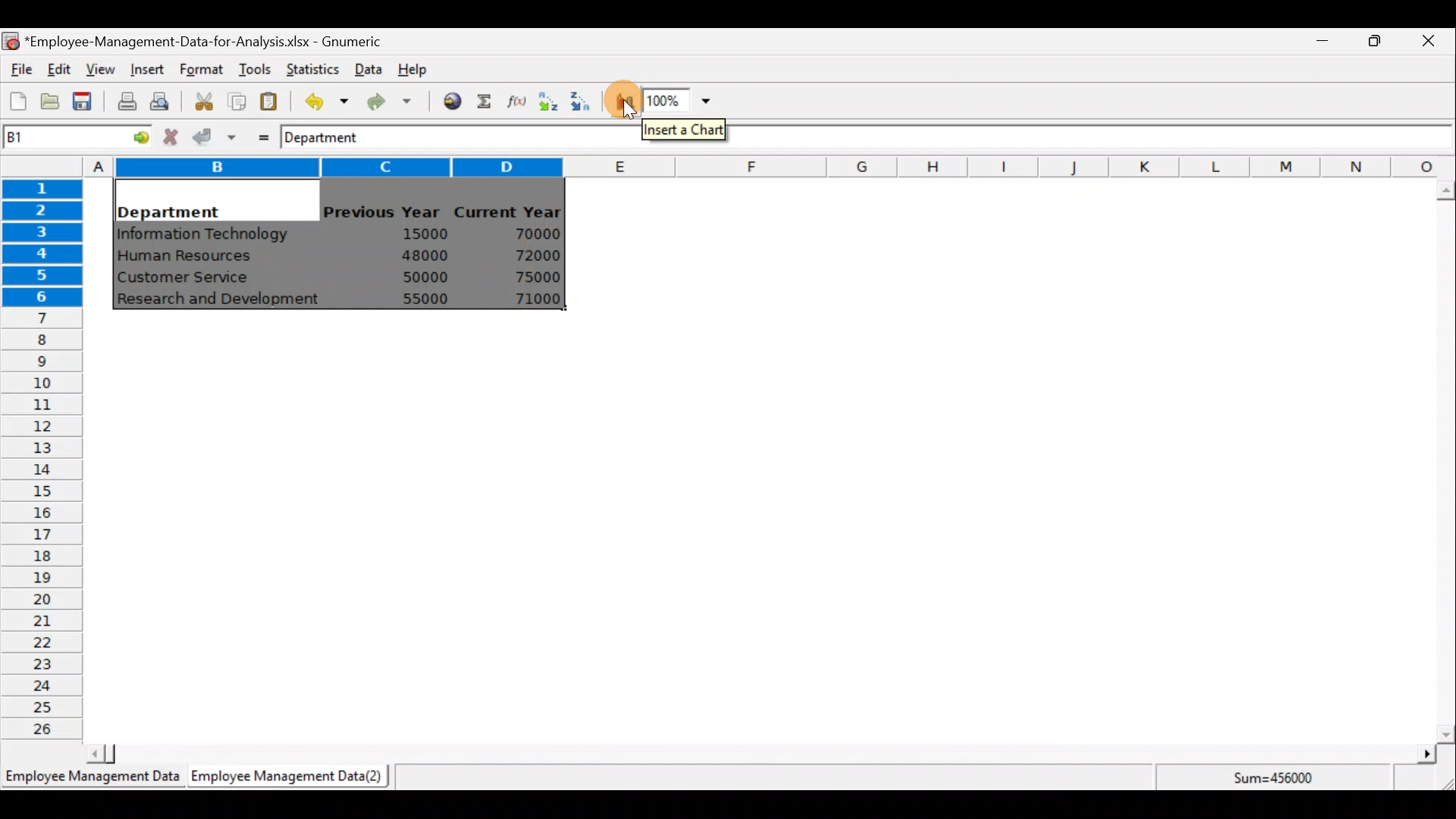 The width and height of the screenshot is (1456, 819). What do you see at coordinates (254, 71) in the screenshot?
I see `Tools` at bounding box center [254, 71].